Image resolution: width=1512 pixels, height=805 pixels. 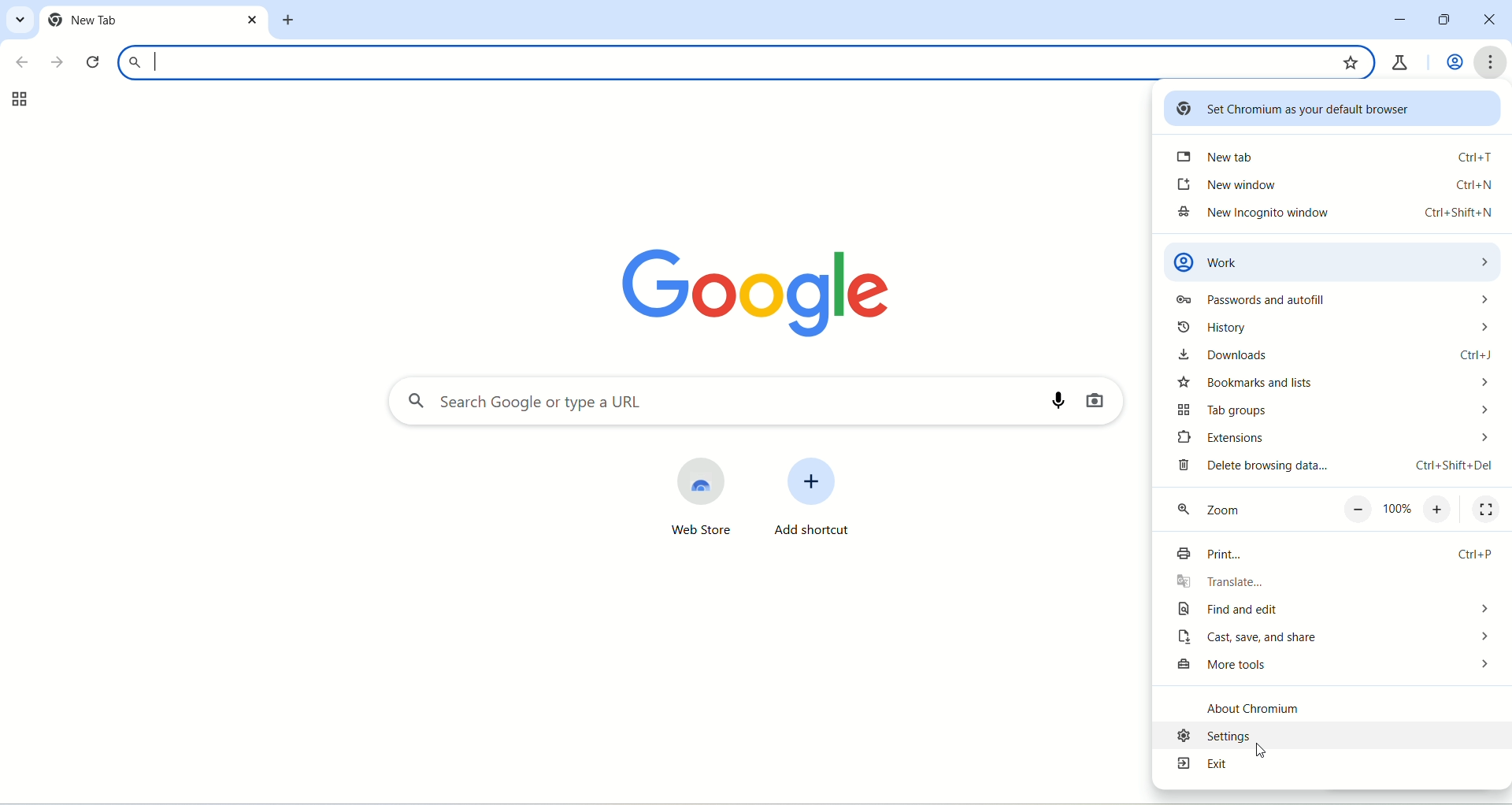 I want to click on print ctrl+p, so click(x=1333, y=556).